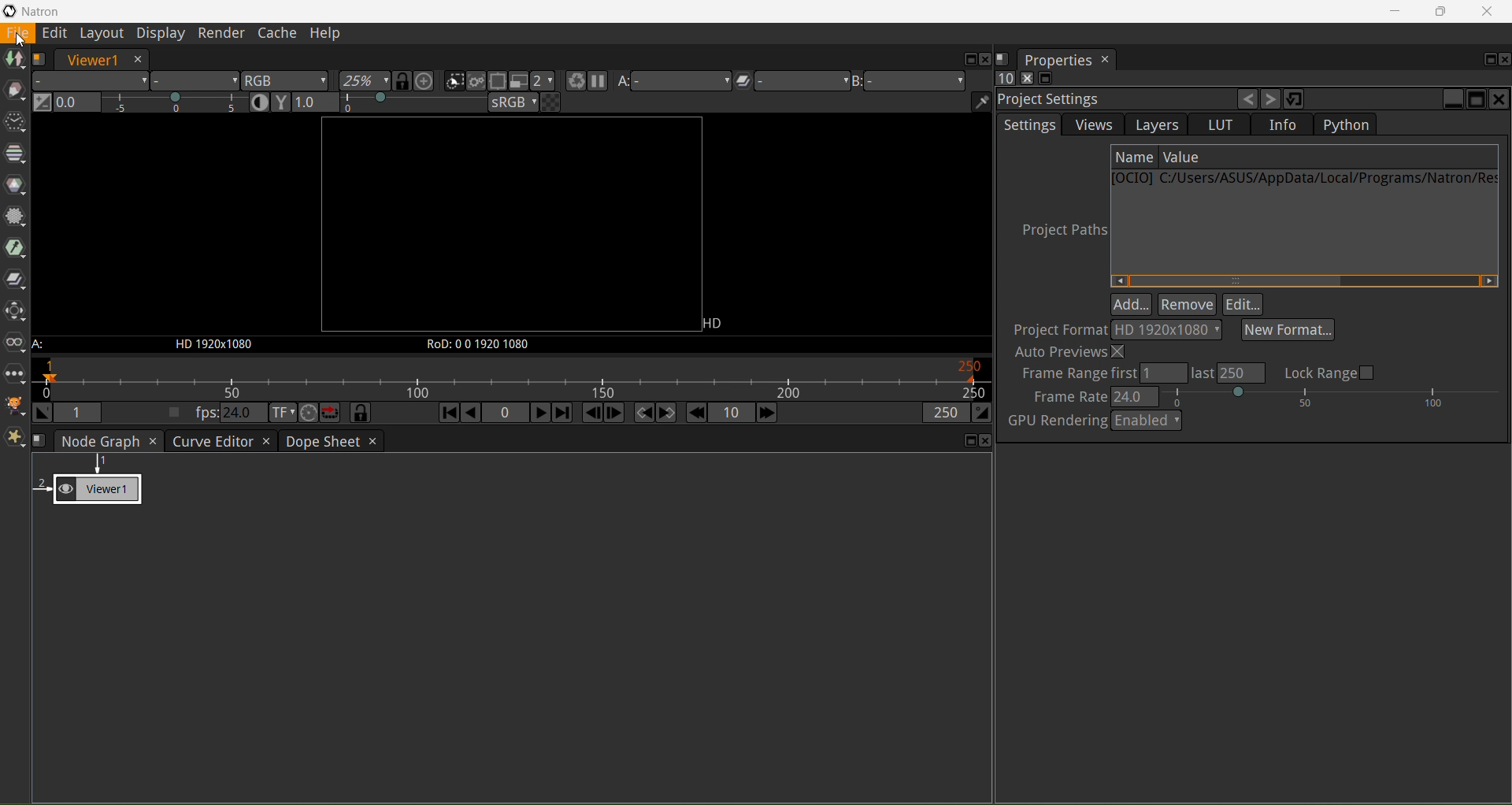 The image size is (1512, 805). Describe the element at coordinates (1245, 99) in the screenshot. I see `Undo the last change made to this operator` at that location.